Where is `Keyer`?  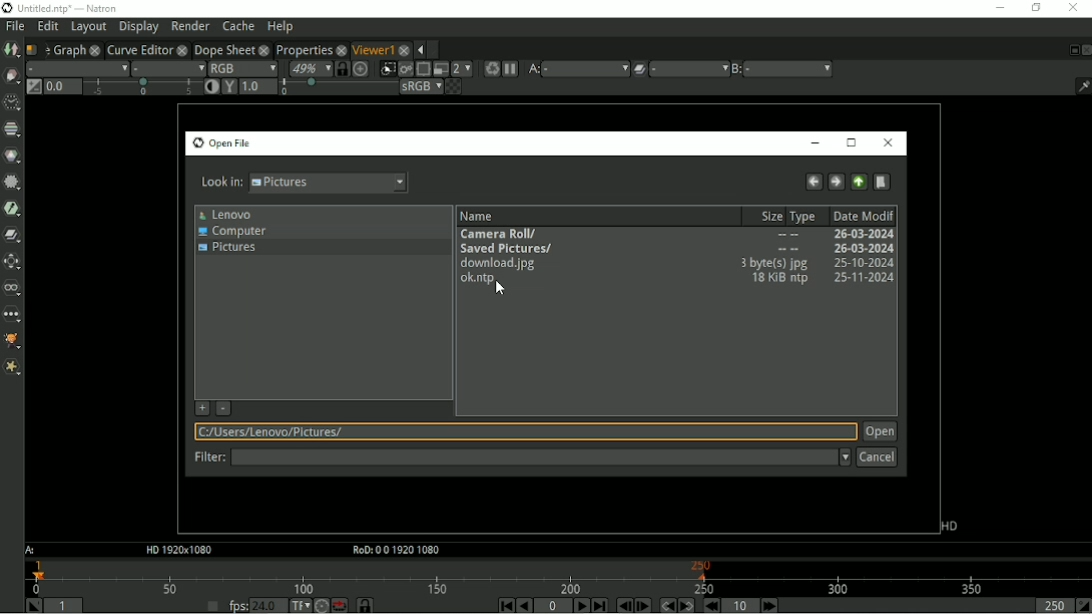
Keyer is located at coordinates (12, 208).